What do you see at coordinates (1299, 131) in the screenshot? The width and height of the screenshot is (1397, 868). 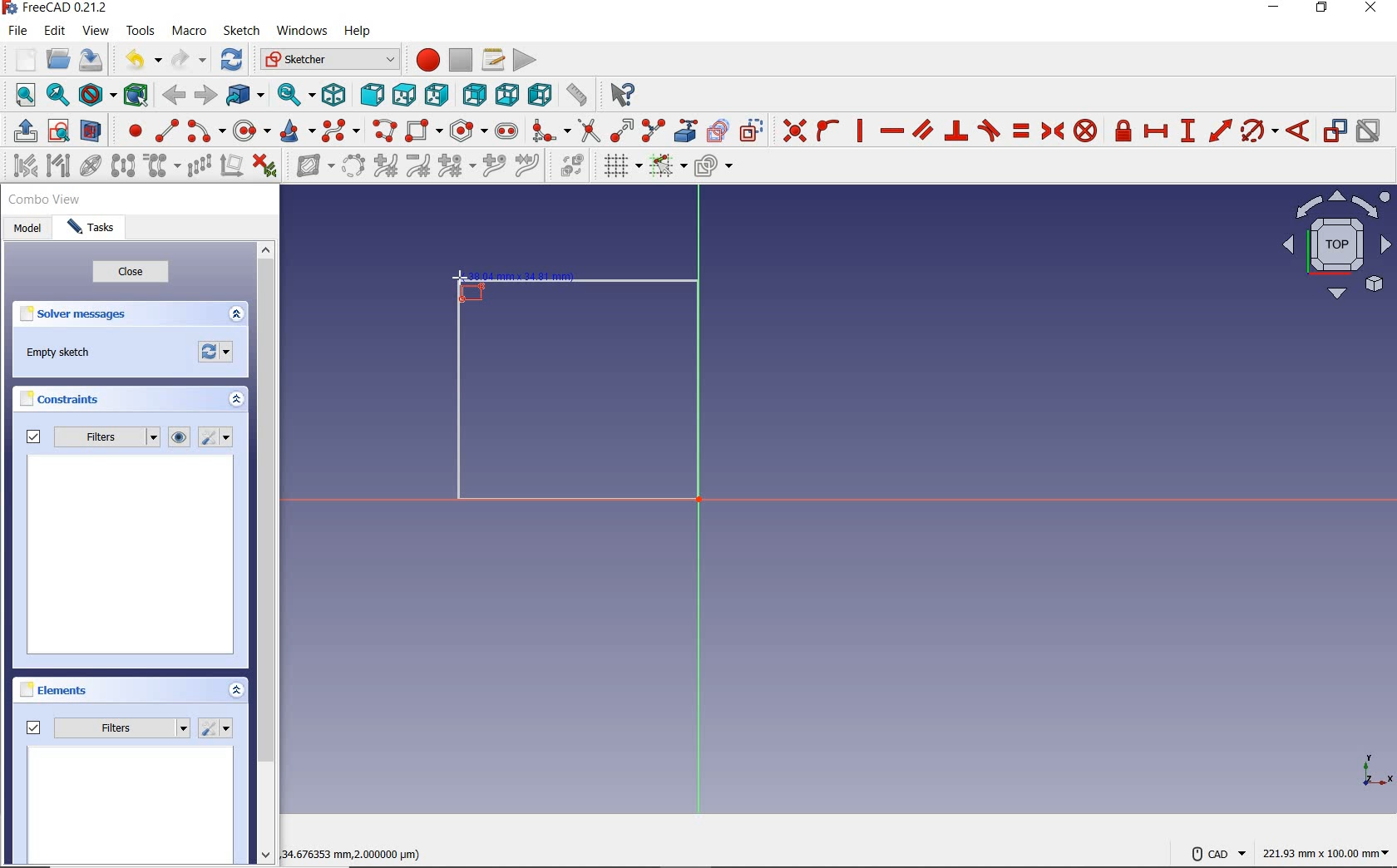 I see `constrain angle` at bounding box center [1299, 131].